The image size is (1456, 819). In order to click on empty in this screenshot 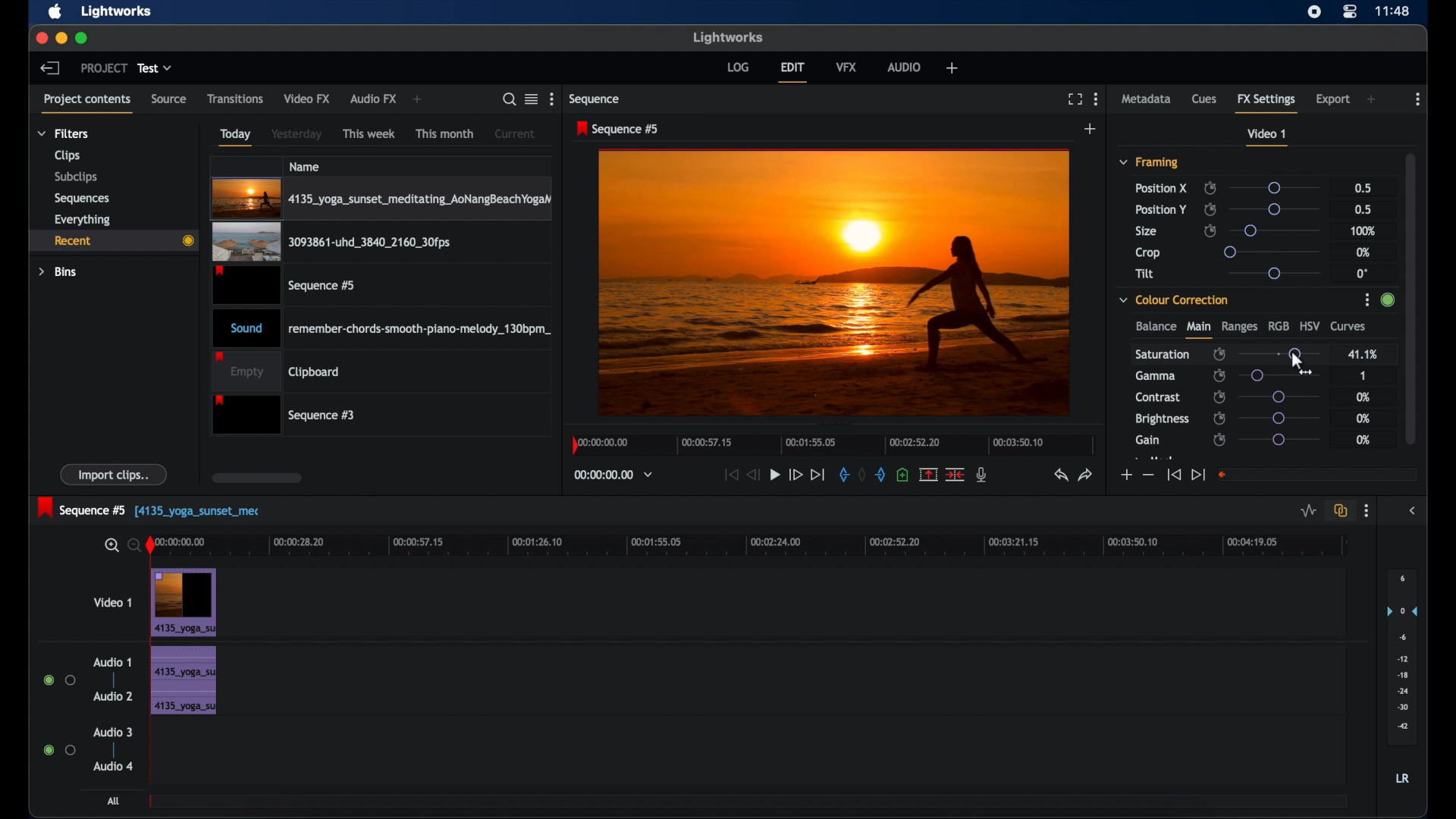, I will do `click(276, 371)`.